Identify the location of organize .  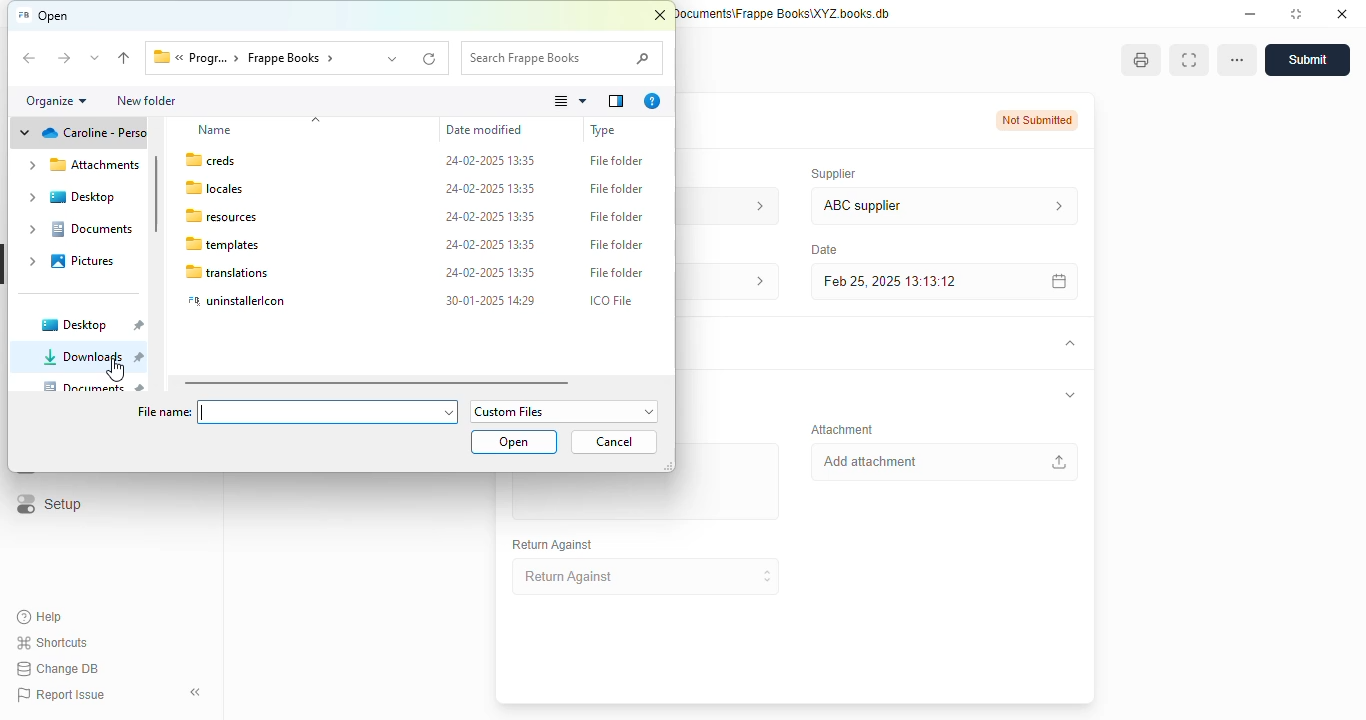
(57, 101).